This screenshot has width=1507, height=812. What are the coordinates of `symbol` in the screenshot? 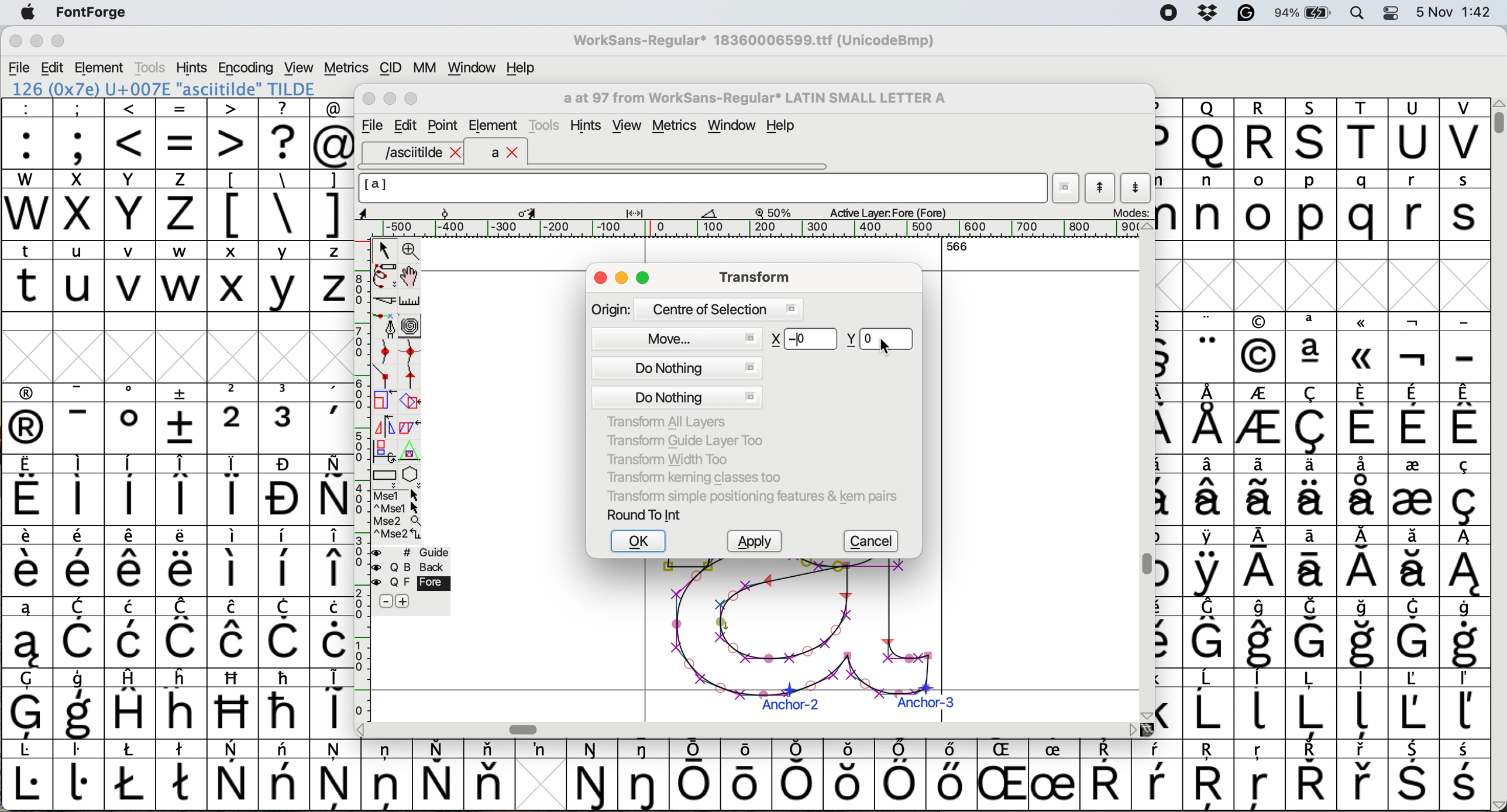 It's located at (286, 418).